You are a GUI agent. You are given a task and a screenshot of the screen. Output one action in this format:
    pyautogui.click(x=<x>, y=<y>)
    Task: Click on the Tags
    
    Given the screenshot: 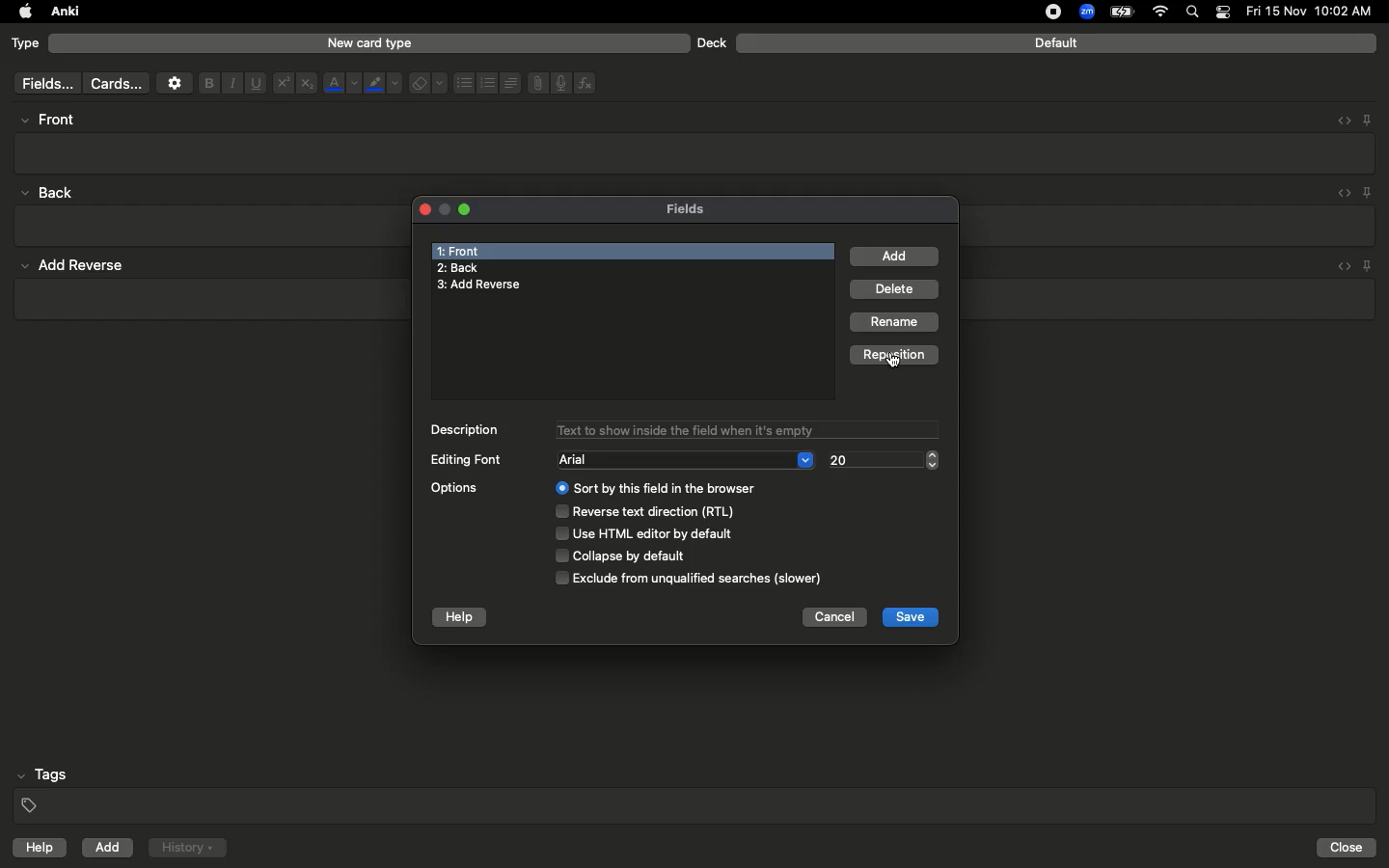 What is the action you would take?
    pyautogui.click(x=696, y=791)
    